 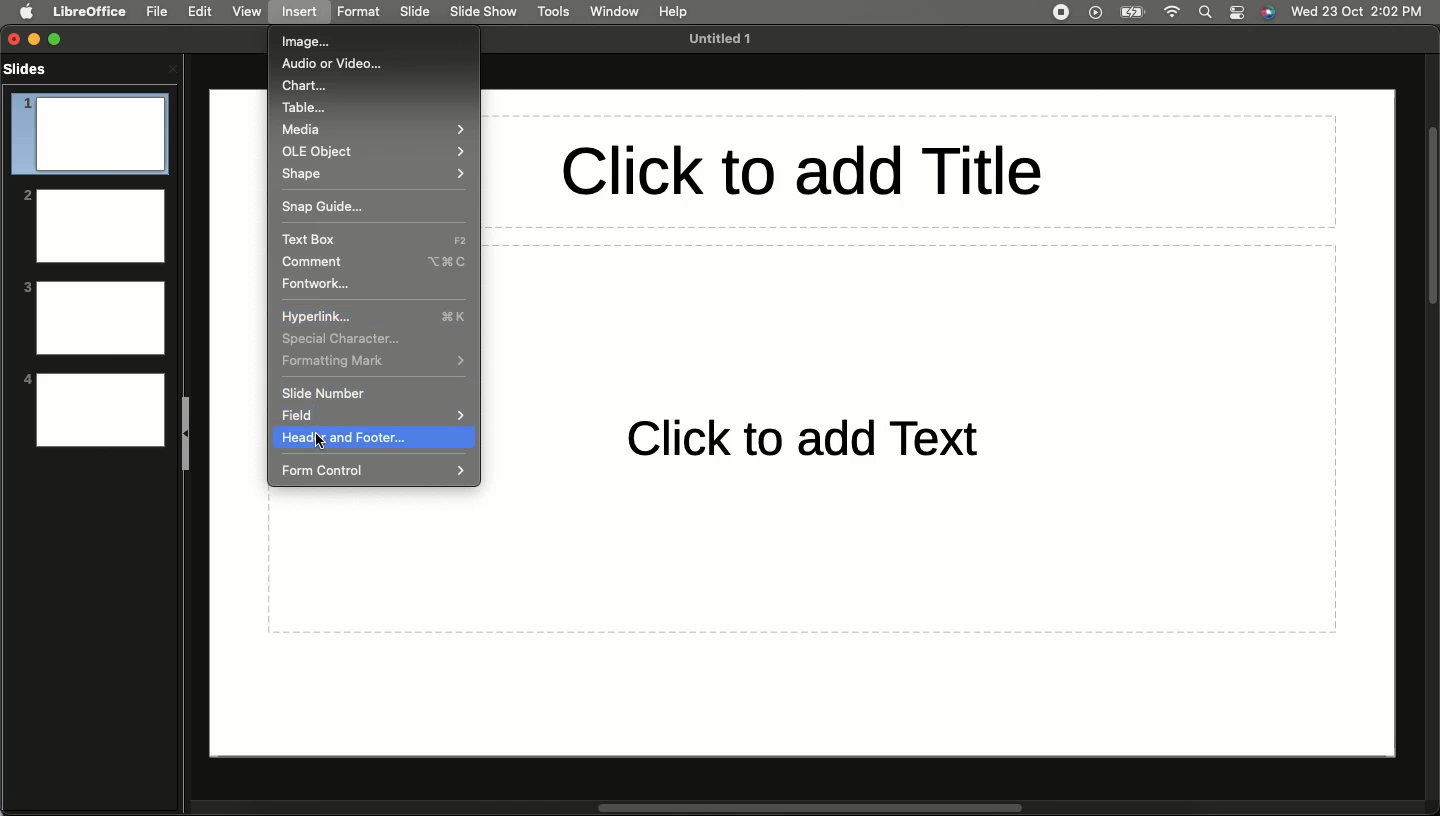 I want to click on Close, so click(x=14, y=39).